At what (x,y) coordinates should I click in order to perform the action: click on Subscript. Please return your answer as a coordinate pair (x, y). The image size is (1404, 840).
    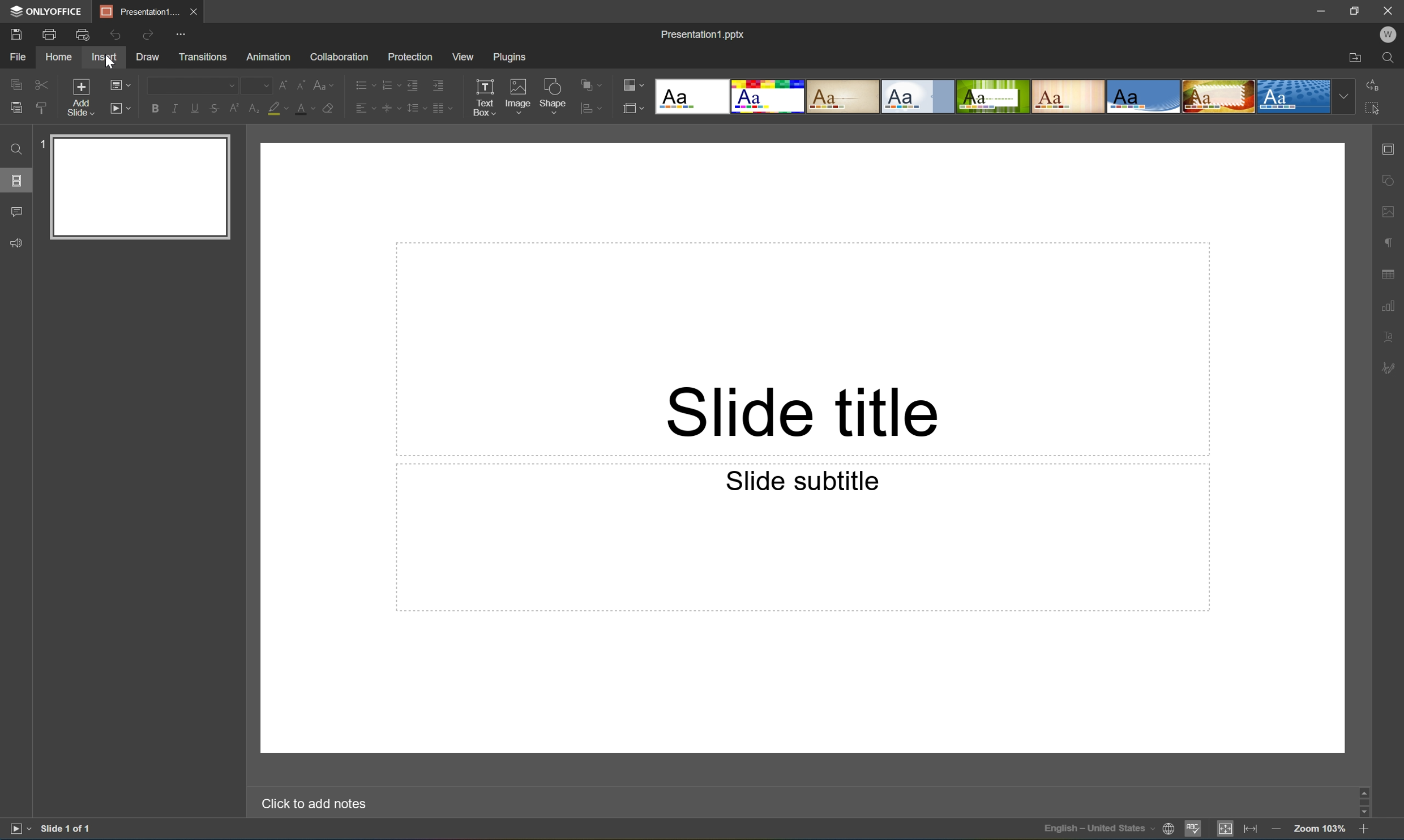
    Looking at the image, I should click on (253, 108).